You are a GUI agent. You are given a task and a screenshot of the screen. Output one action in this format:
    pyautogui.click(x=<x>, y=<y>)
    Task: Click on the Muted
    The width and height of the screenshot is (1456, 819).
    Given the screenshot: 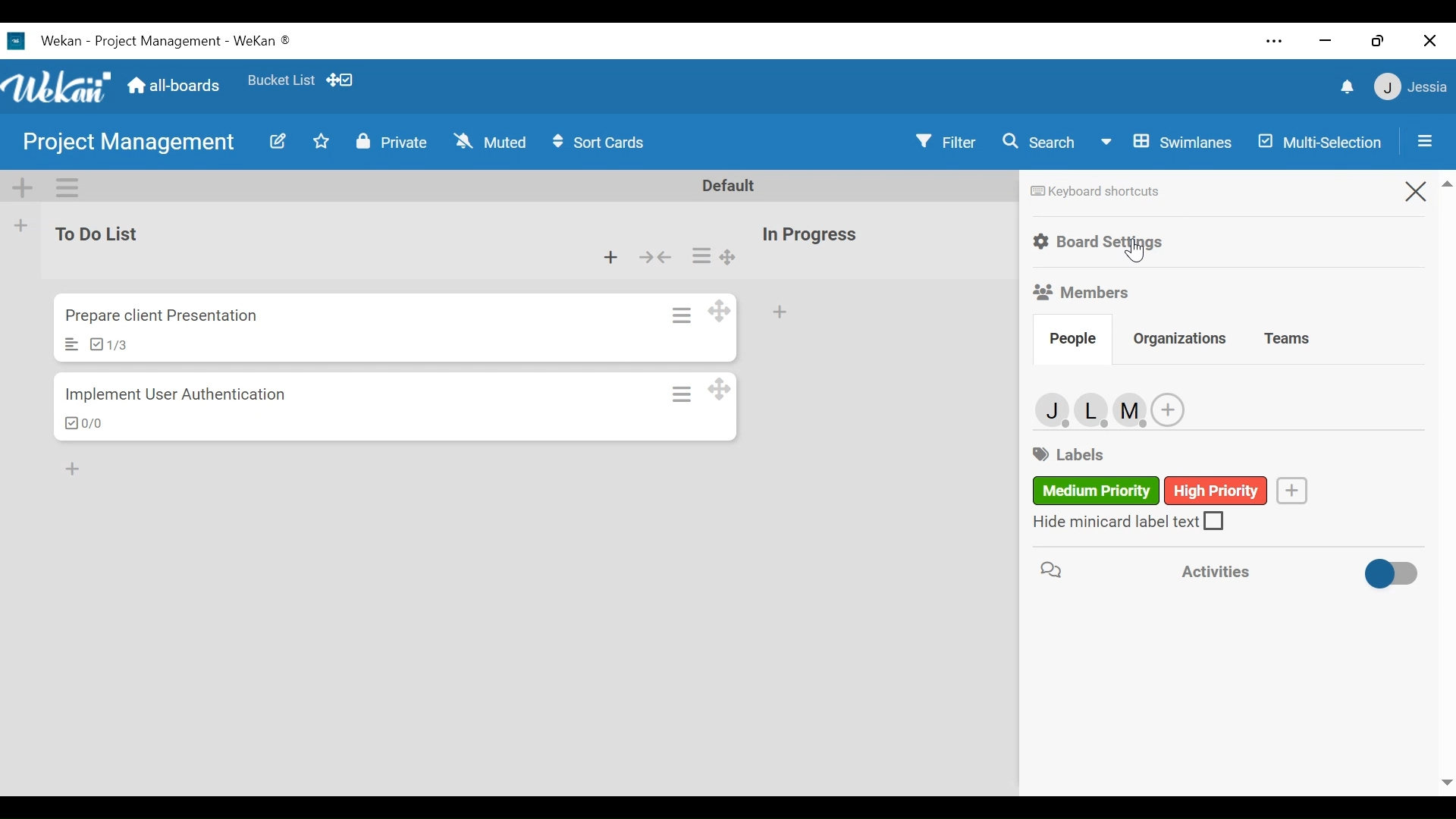 What is the action you would take?
    pyautogui.click(x=490, y=142)
    